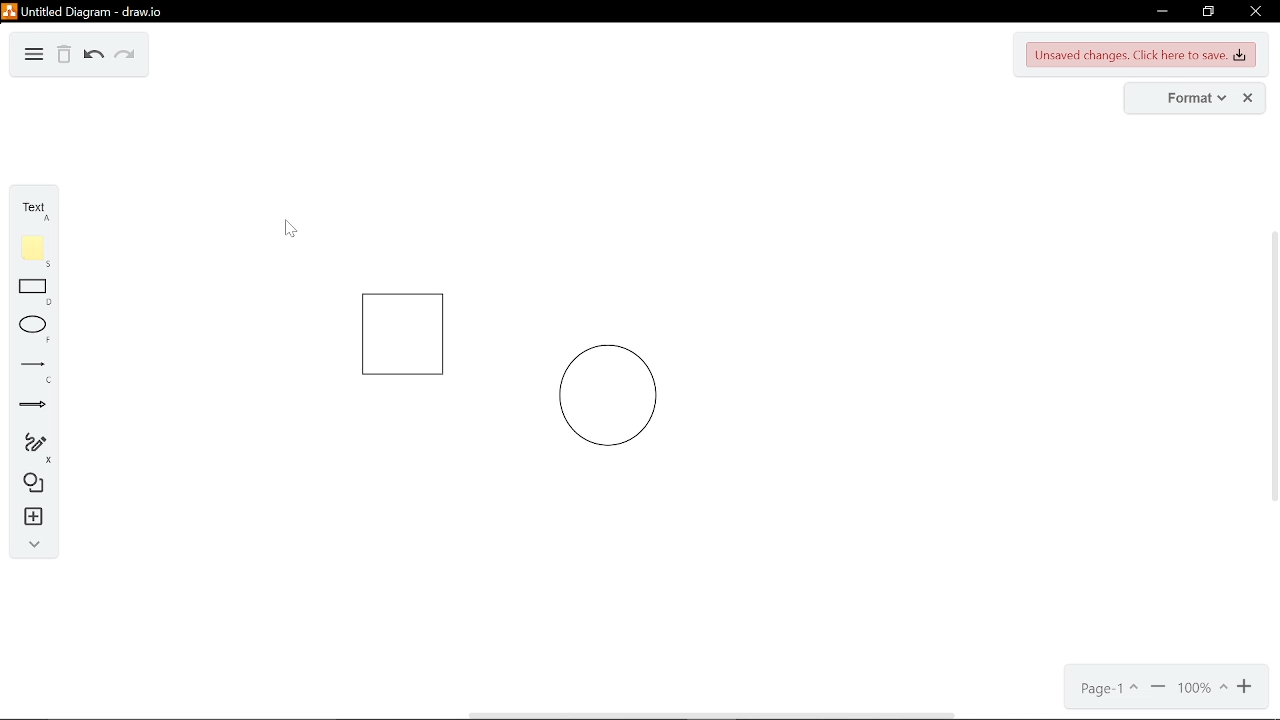  Describe the element at coordinates (30, 332) in the screenshot. I see `ellipse` at that location.